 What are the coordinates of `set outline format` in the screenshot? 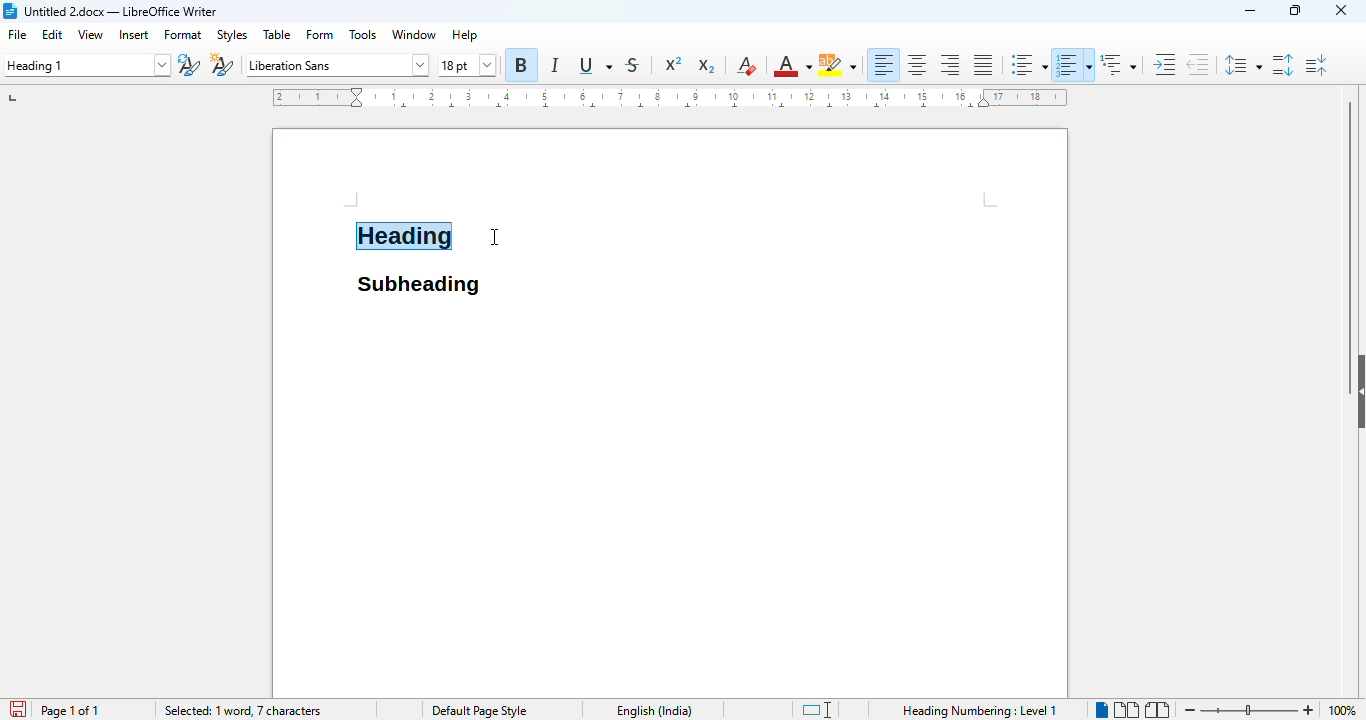 It's located at (1118, 64).